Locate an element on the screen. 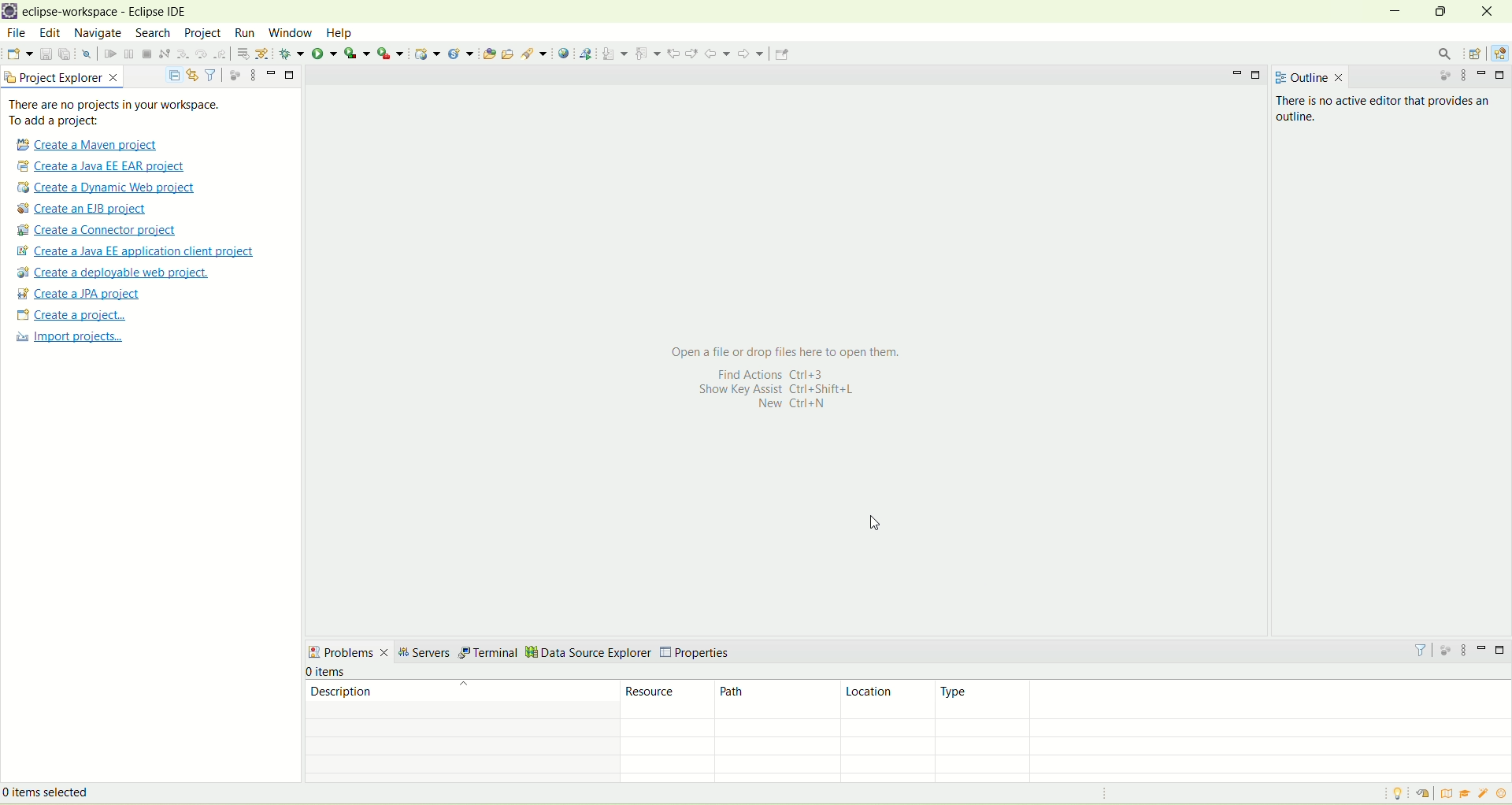  resource is located at coordinates (669, 699).